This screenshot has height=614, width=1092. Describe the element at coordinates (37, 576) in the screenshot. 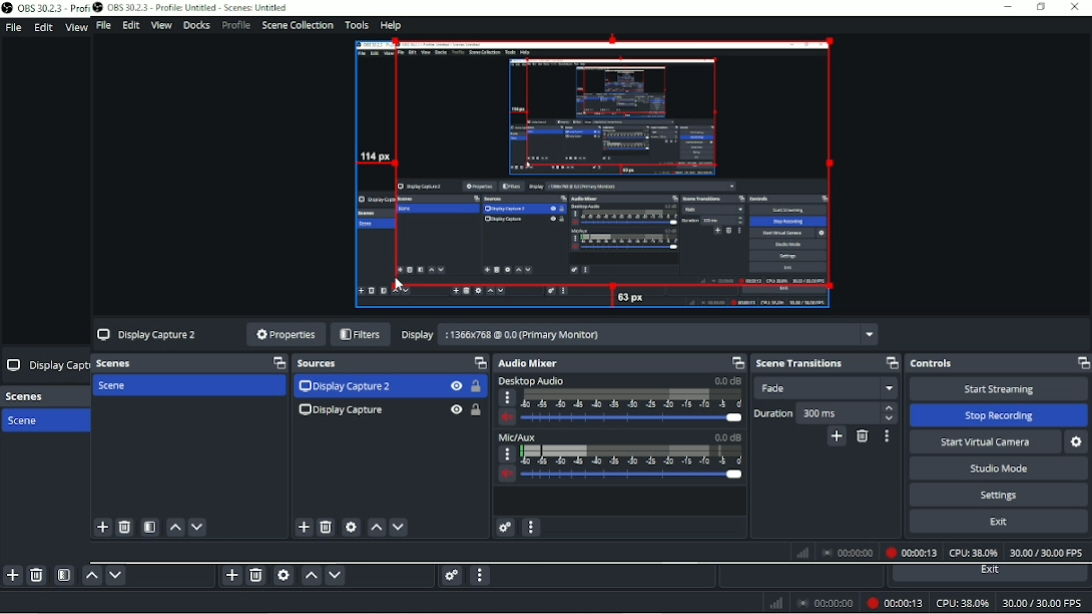

I see `Remove selected scene` at that location.